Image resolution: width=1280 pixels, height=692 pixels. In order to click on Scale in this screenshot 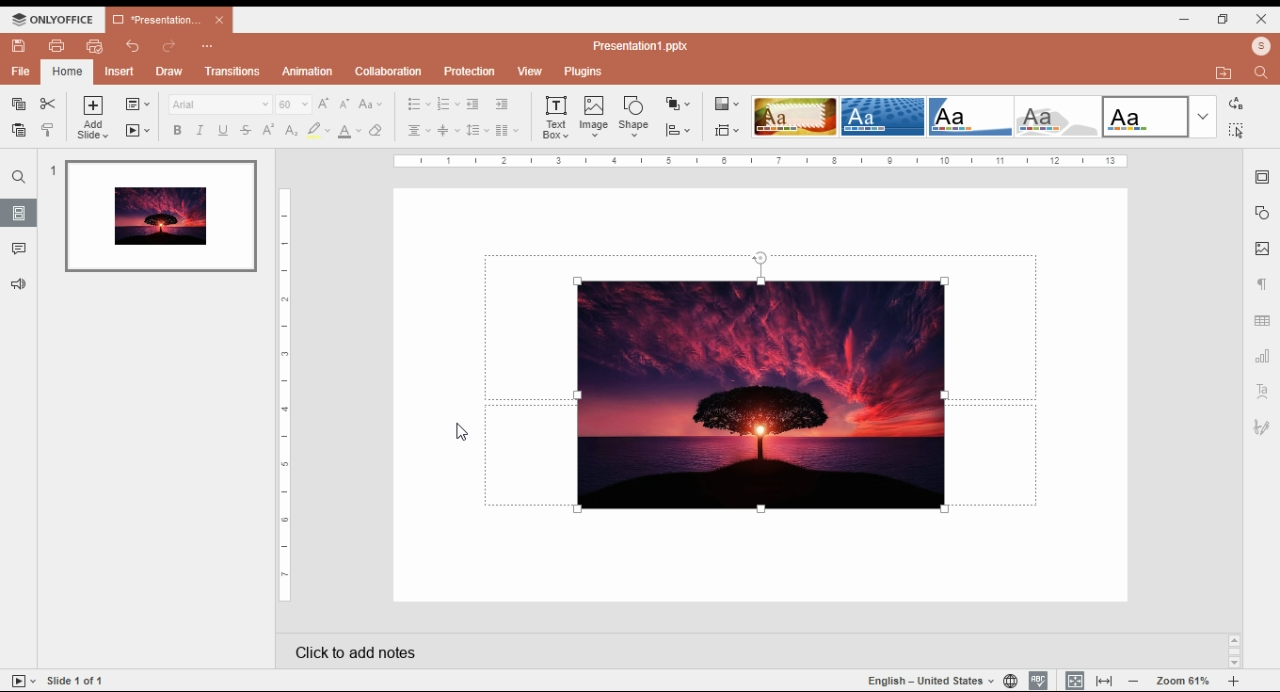, I will do `click(282, 393)`.